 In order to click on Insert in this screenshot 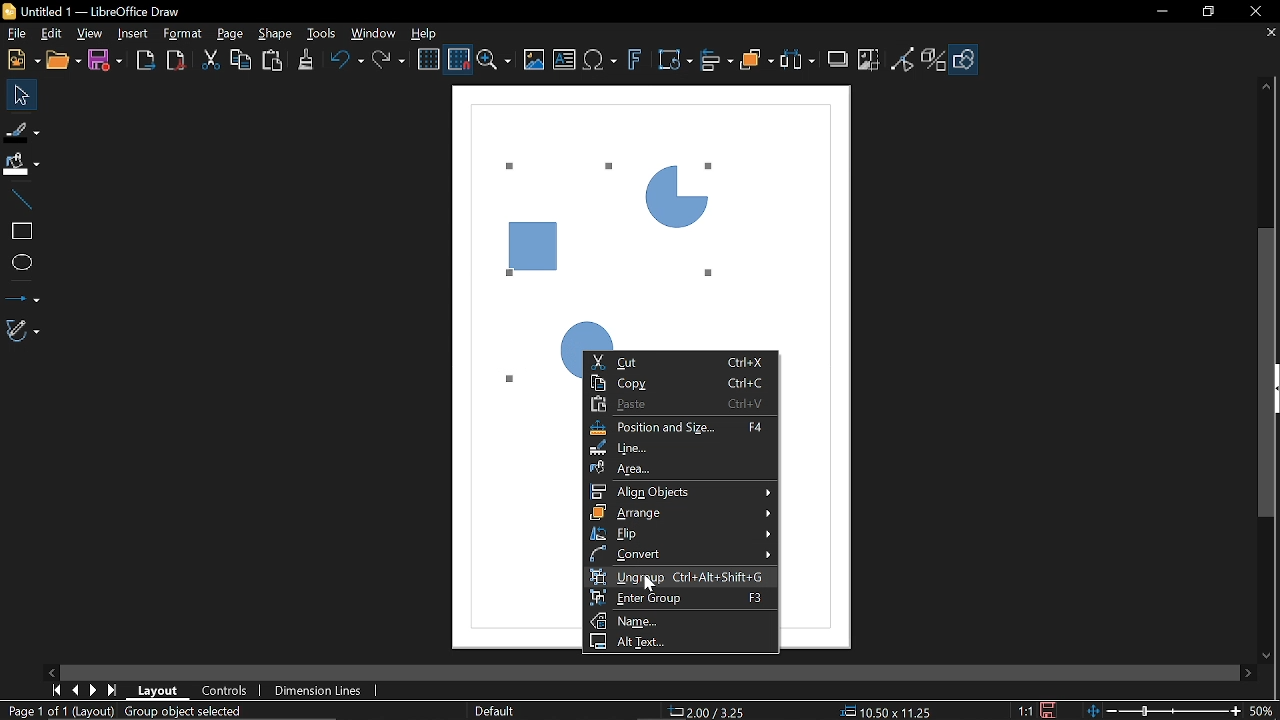, I will do `click(131, 35)`.